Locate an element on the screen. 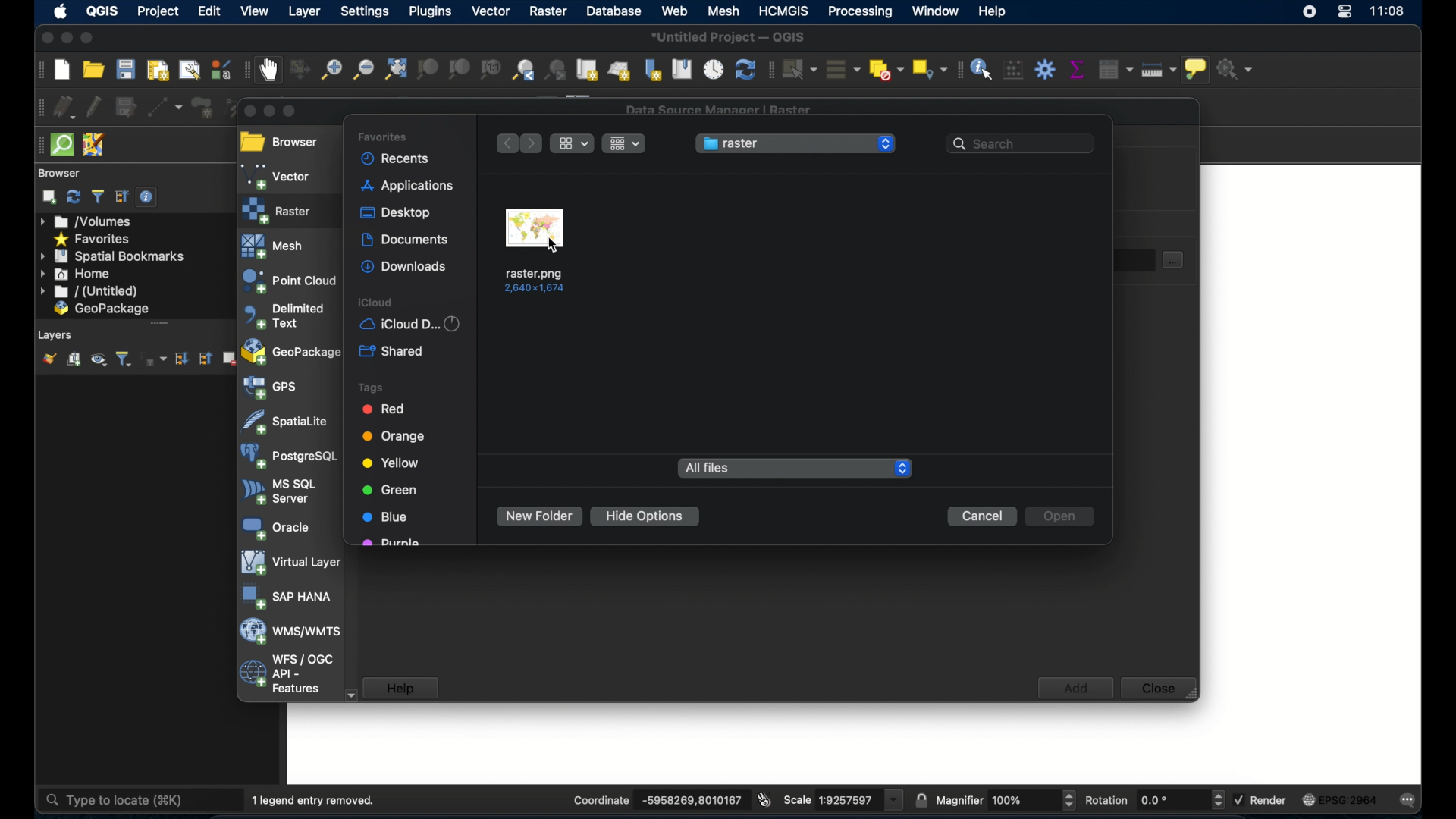 The height and width of the screenshot is (819, 1456). render is located at coordinates (1272, 801).